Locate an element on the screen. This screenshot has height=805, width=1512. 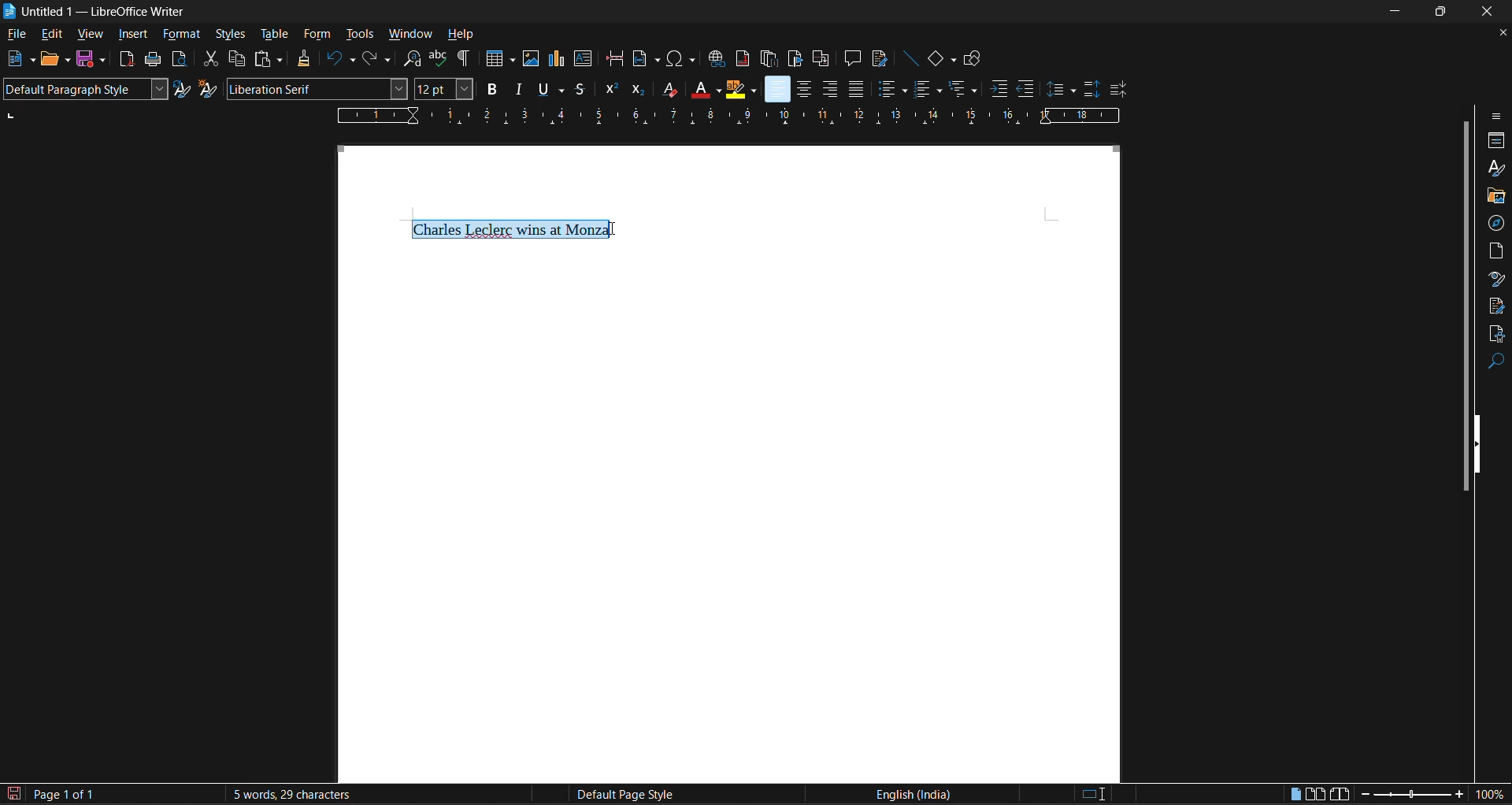
close is located at coordinates (1488, 12).